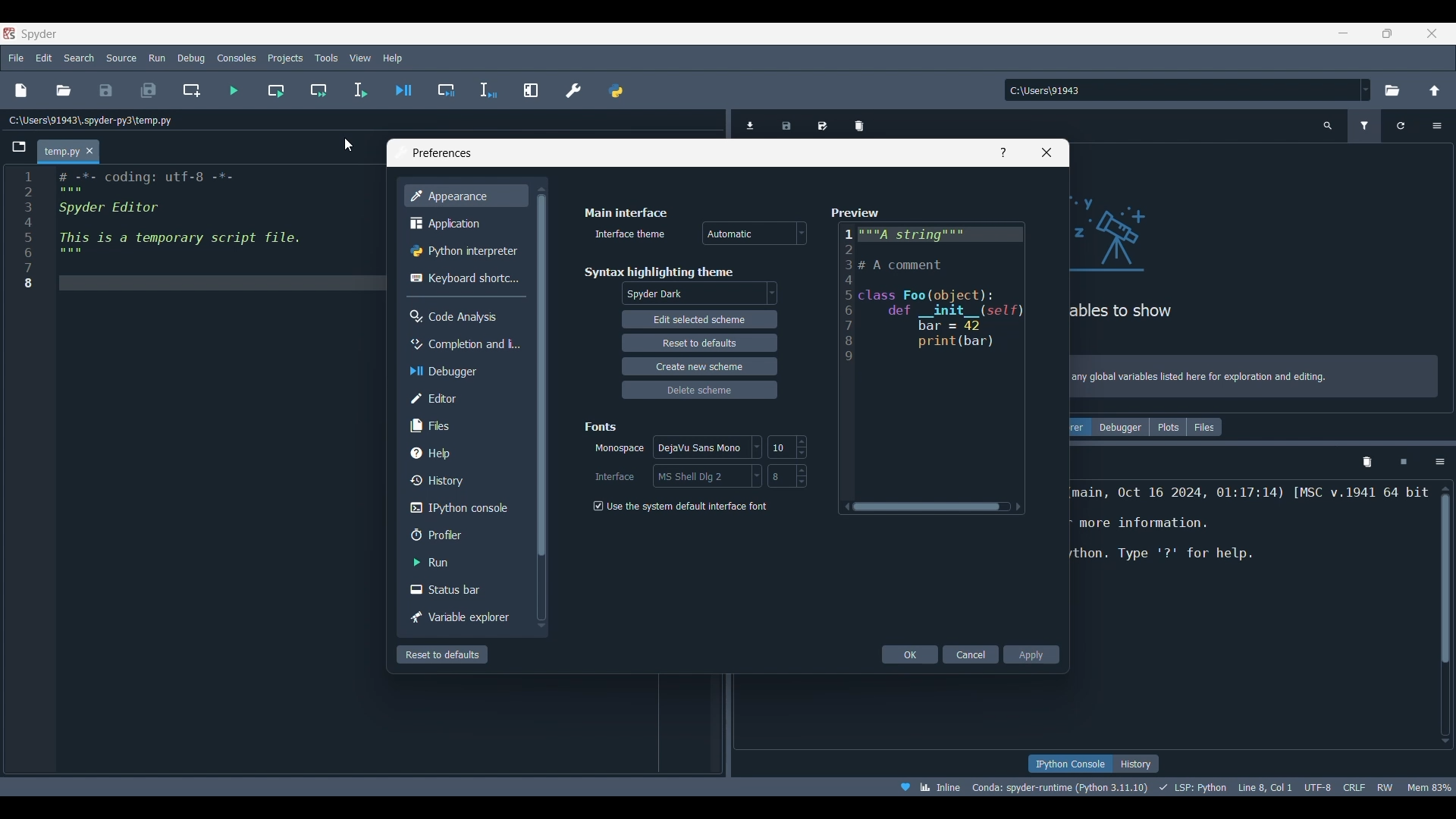 The image size is (1456, 819). I want to click on Run, so click(438, 561).